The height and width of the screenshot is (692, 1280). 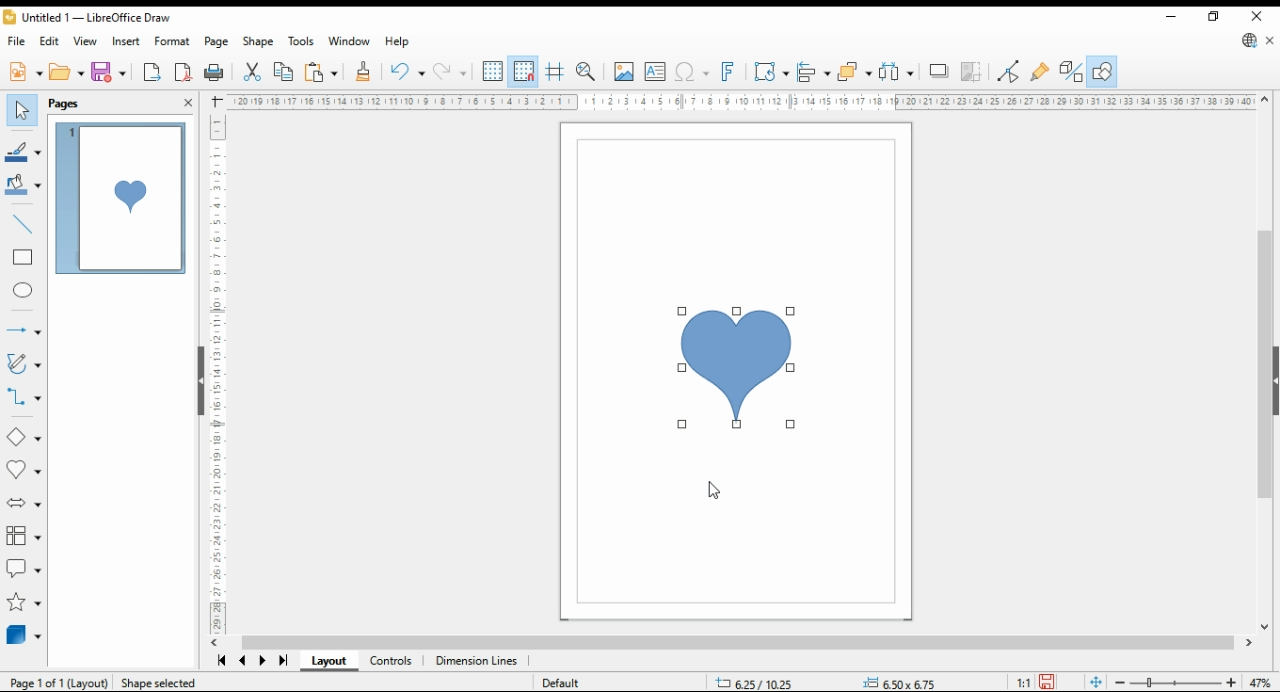 I want to click on dimension lines, so click(x=477, y=662).